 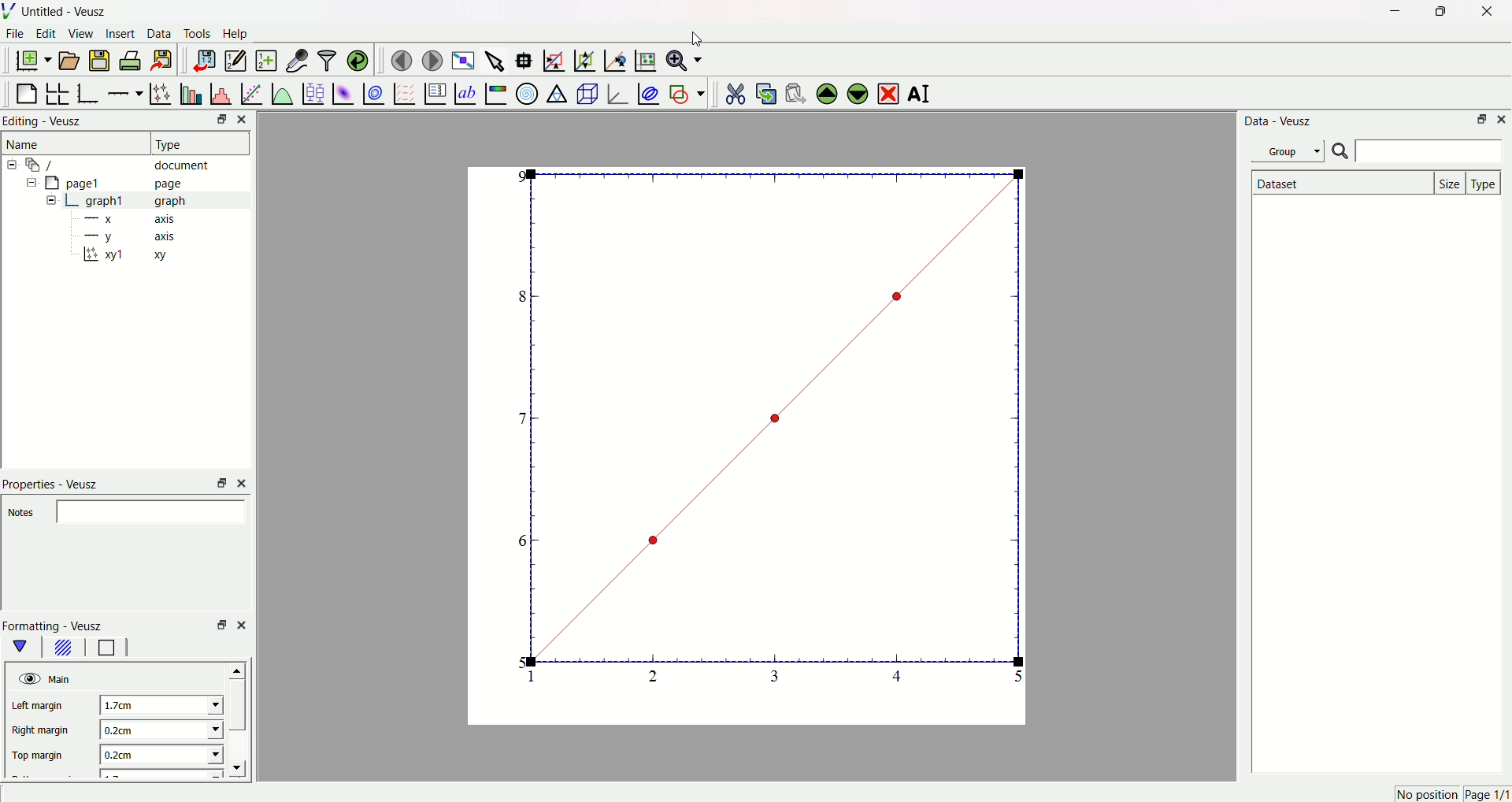 I want to click on copy the widgets, so click(x=765, y=91).